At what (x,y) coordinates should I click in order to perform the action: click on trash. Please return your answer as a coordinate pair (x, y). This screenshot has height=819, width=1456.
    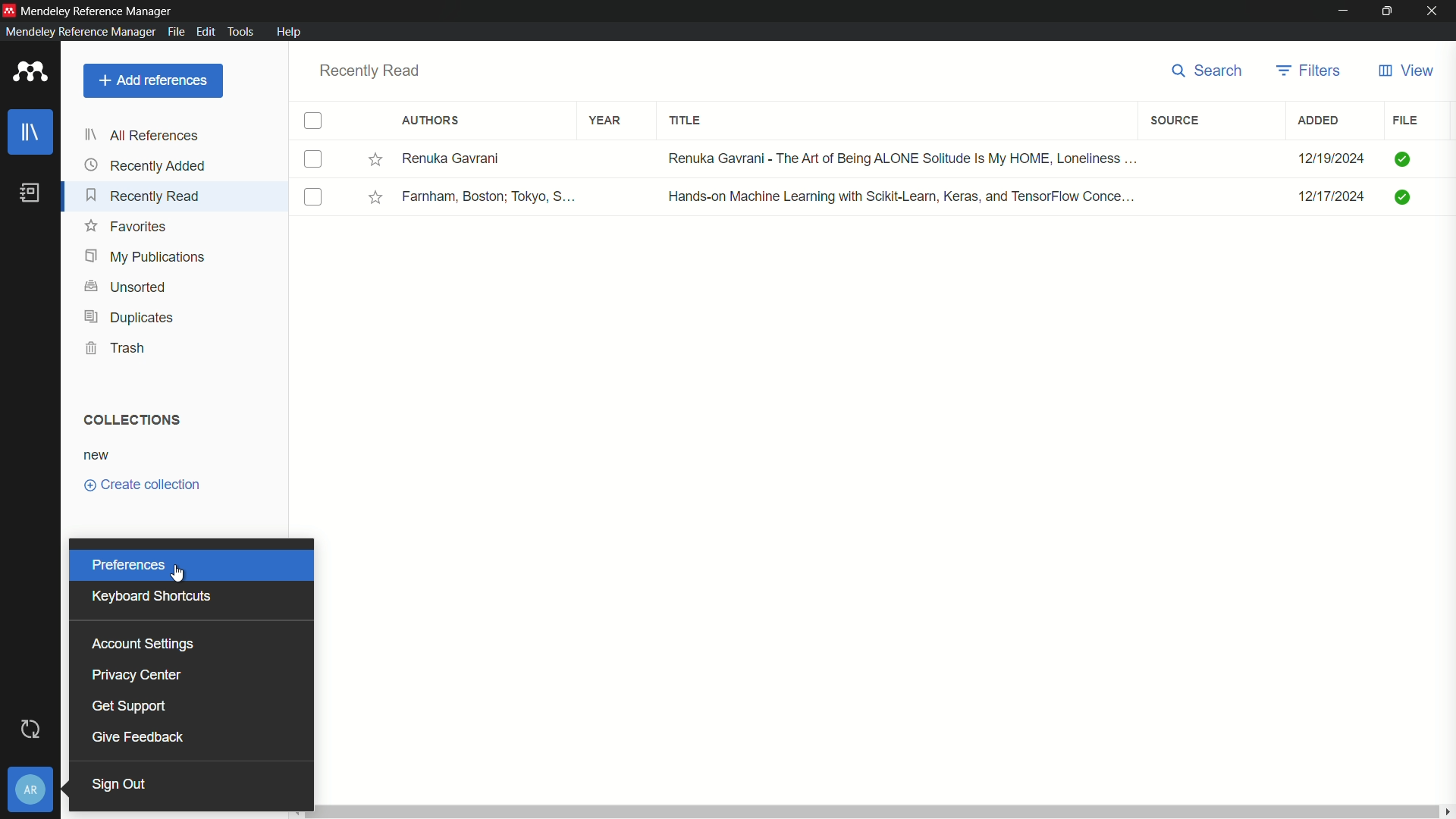
    Looking at the image, I should click on (117, 349).